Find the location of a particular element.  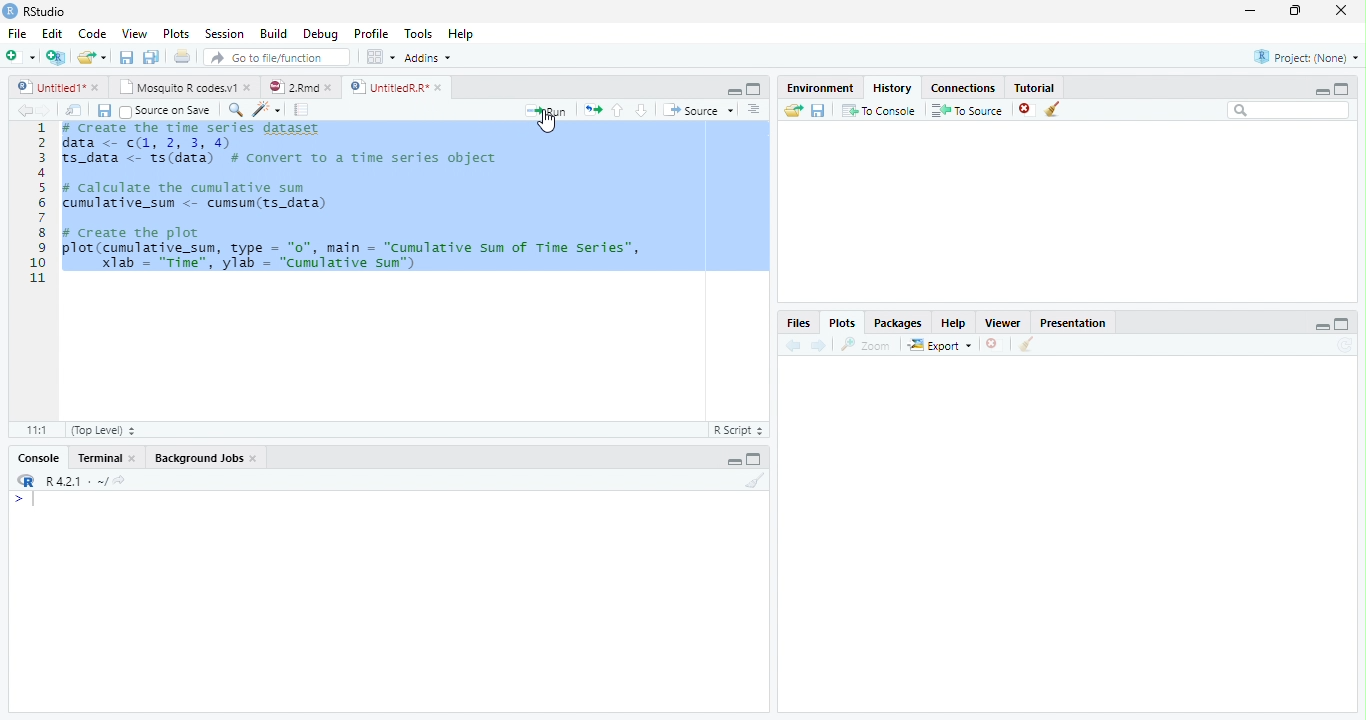

2.Rmd is located at coordinates (303, 88).